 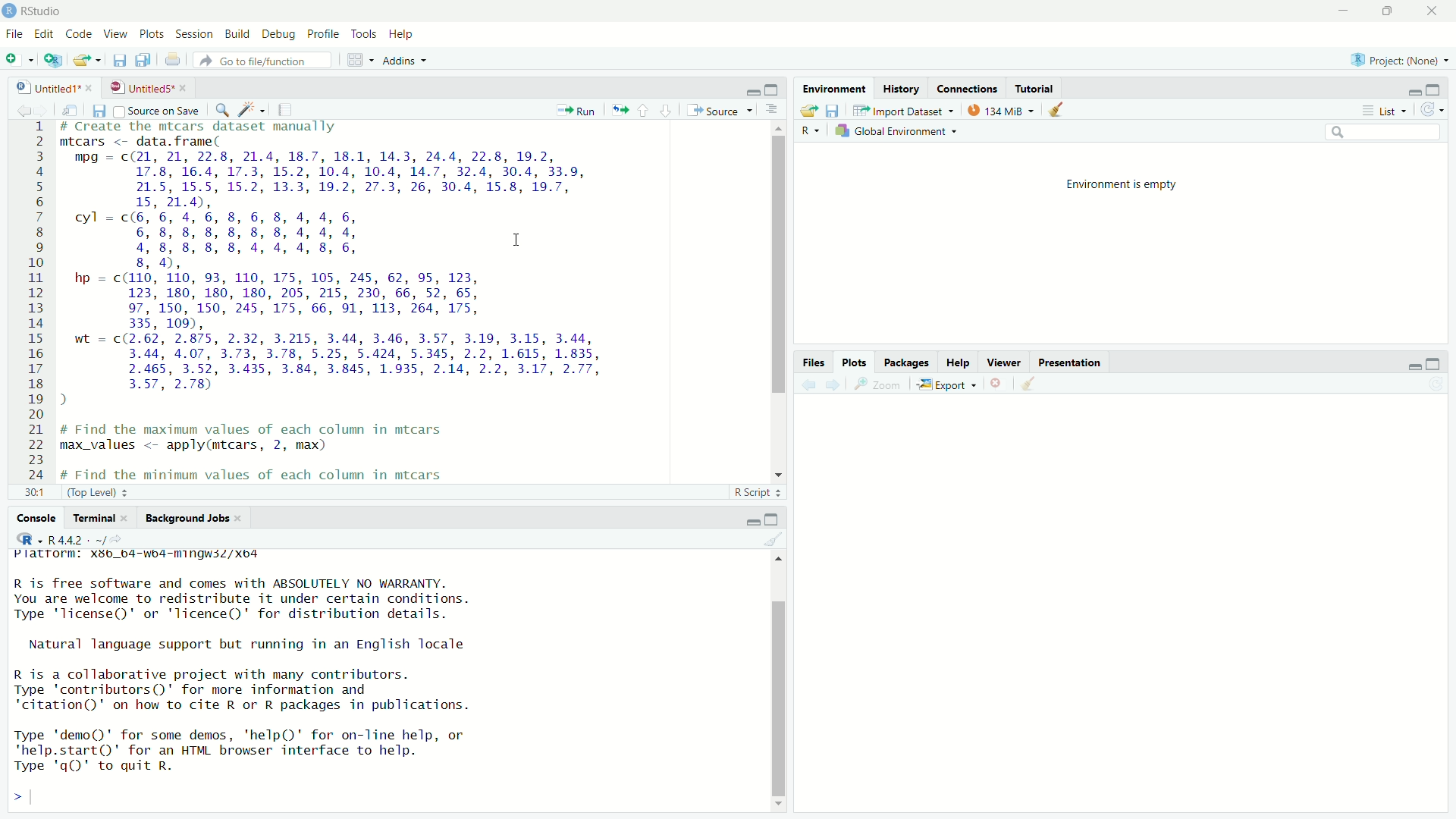 I want to click on save, so click(x=118, y=62).